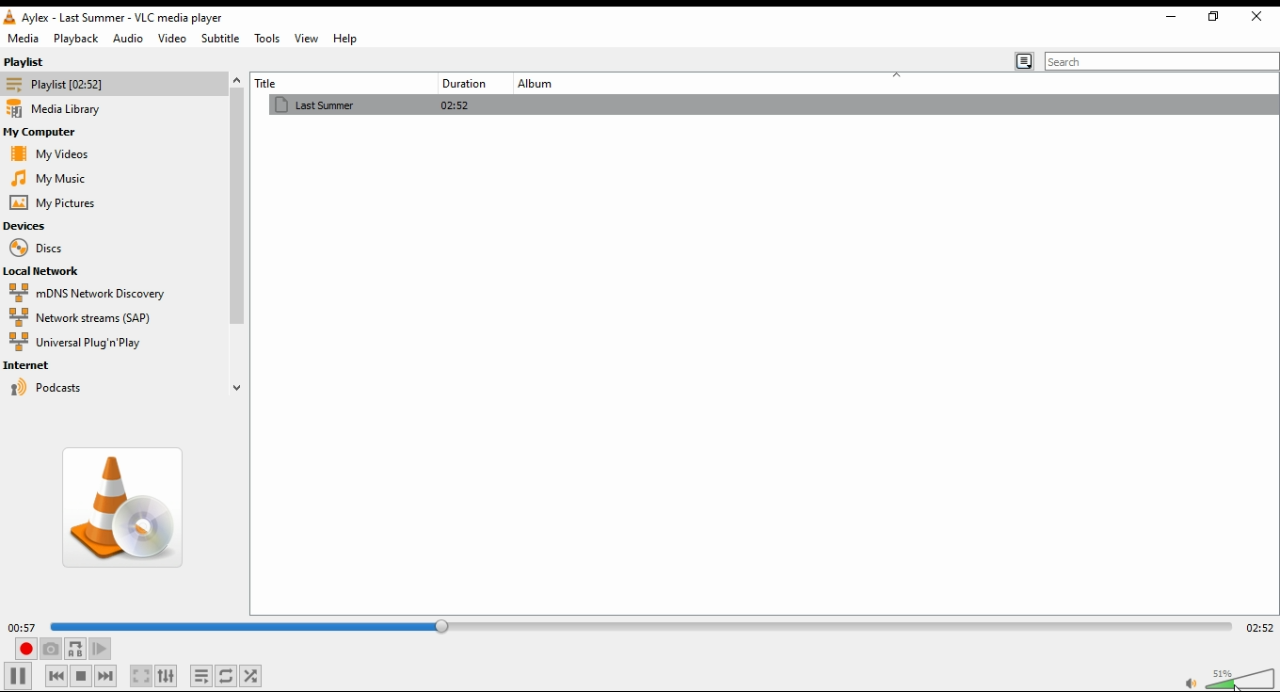  Describe the element at coordinates (305, 39) in the screenshot. I see `view` at that location.